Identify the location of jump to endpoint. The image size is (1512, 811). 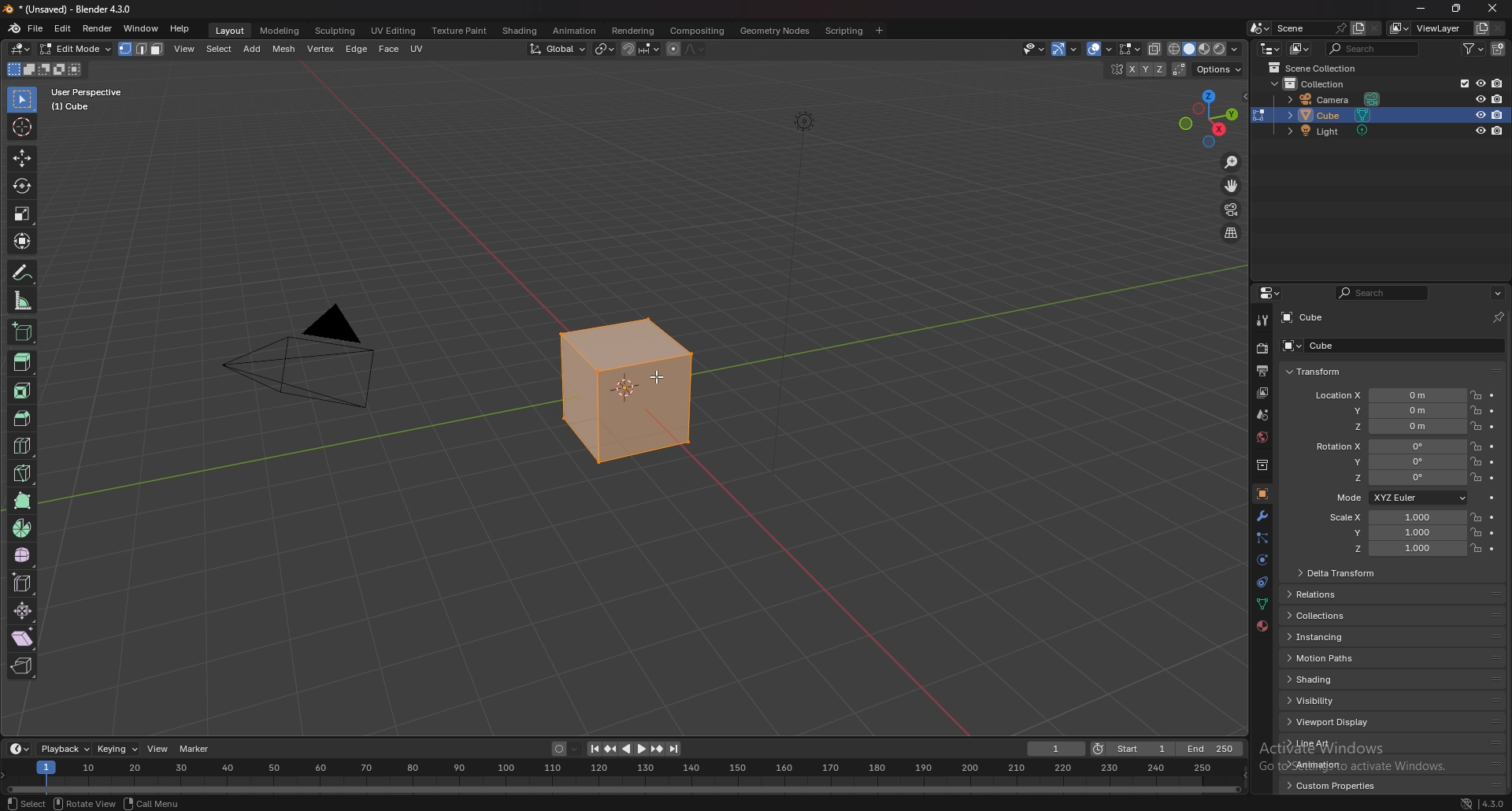
(594, 749).